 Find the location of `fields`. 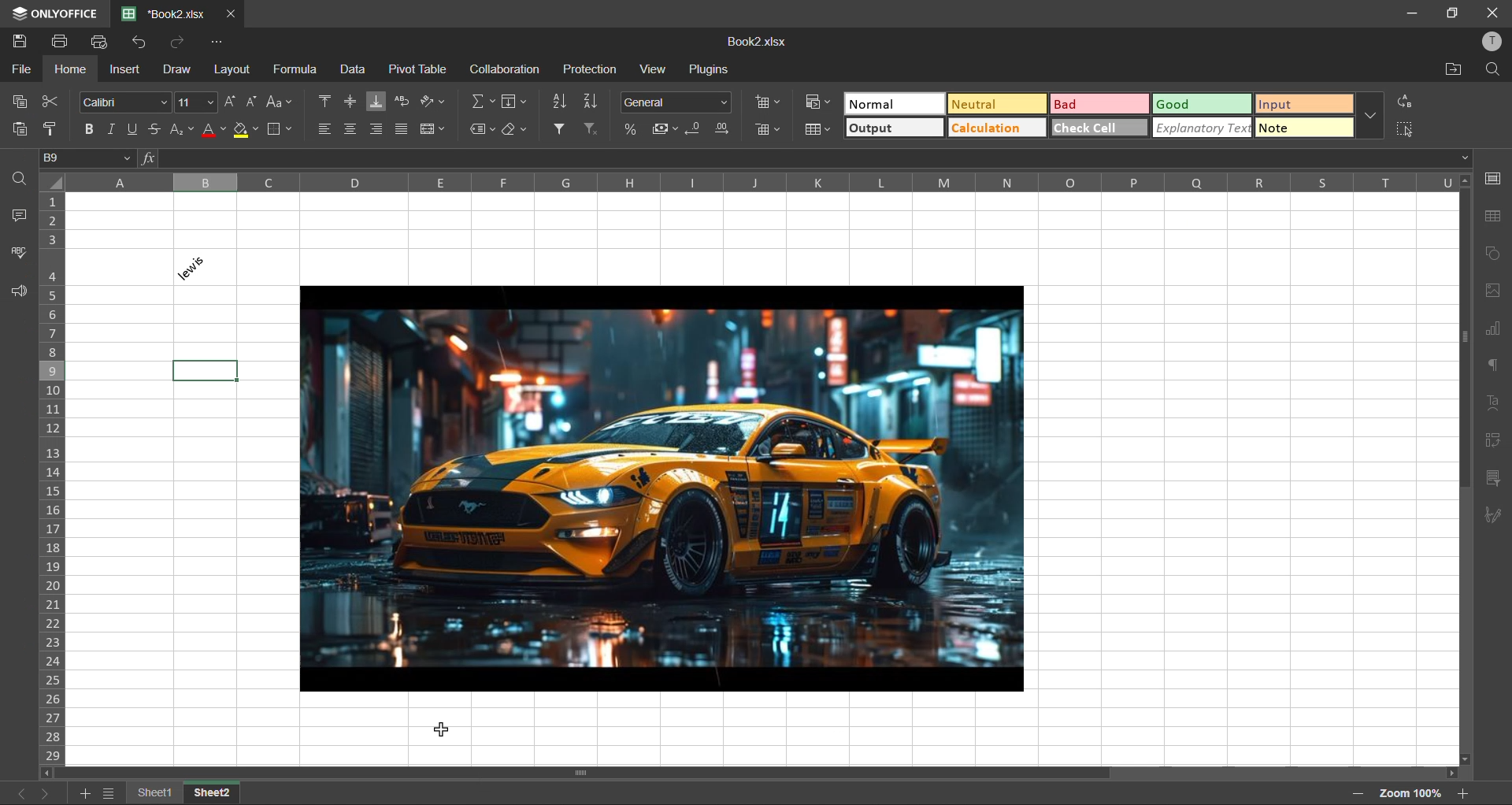

fields is located at coordinates (515, 102).